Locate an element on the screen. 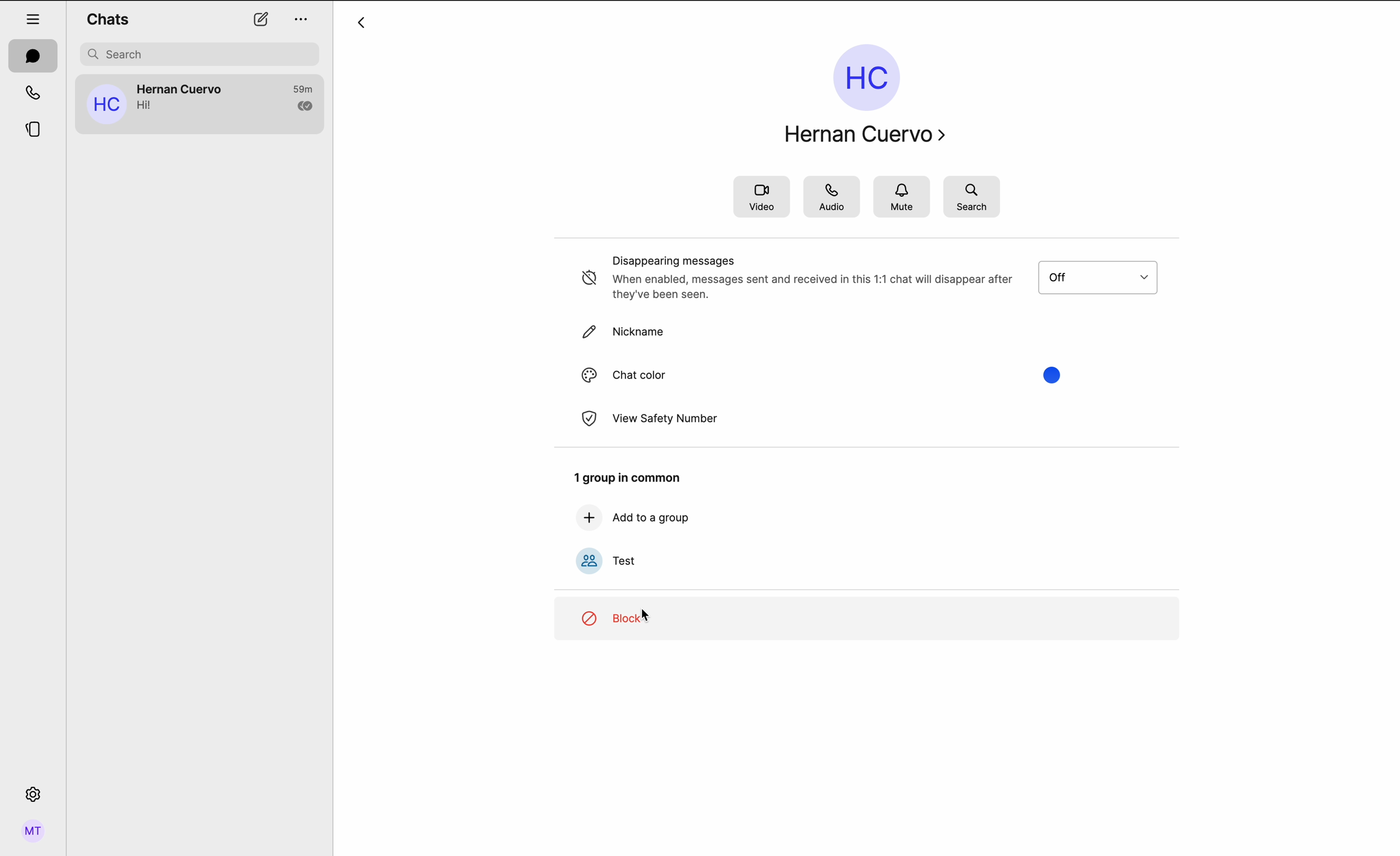 The width and height of the screenshot is (1400, 856). Hernan Cuervo profile is located at coordinates (856, 90).